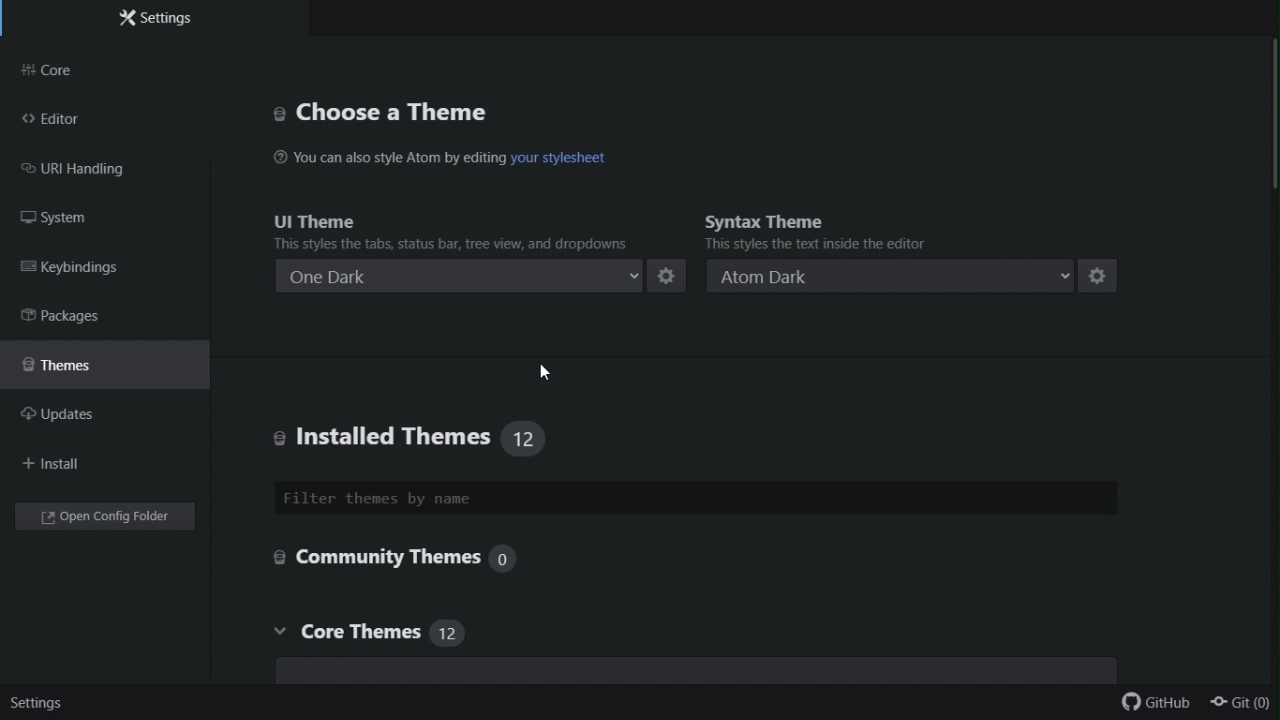  I want to click on Themes, so click(82, 368).